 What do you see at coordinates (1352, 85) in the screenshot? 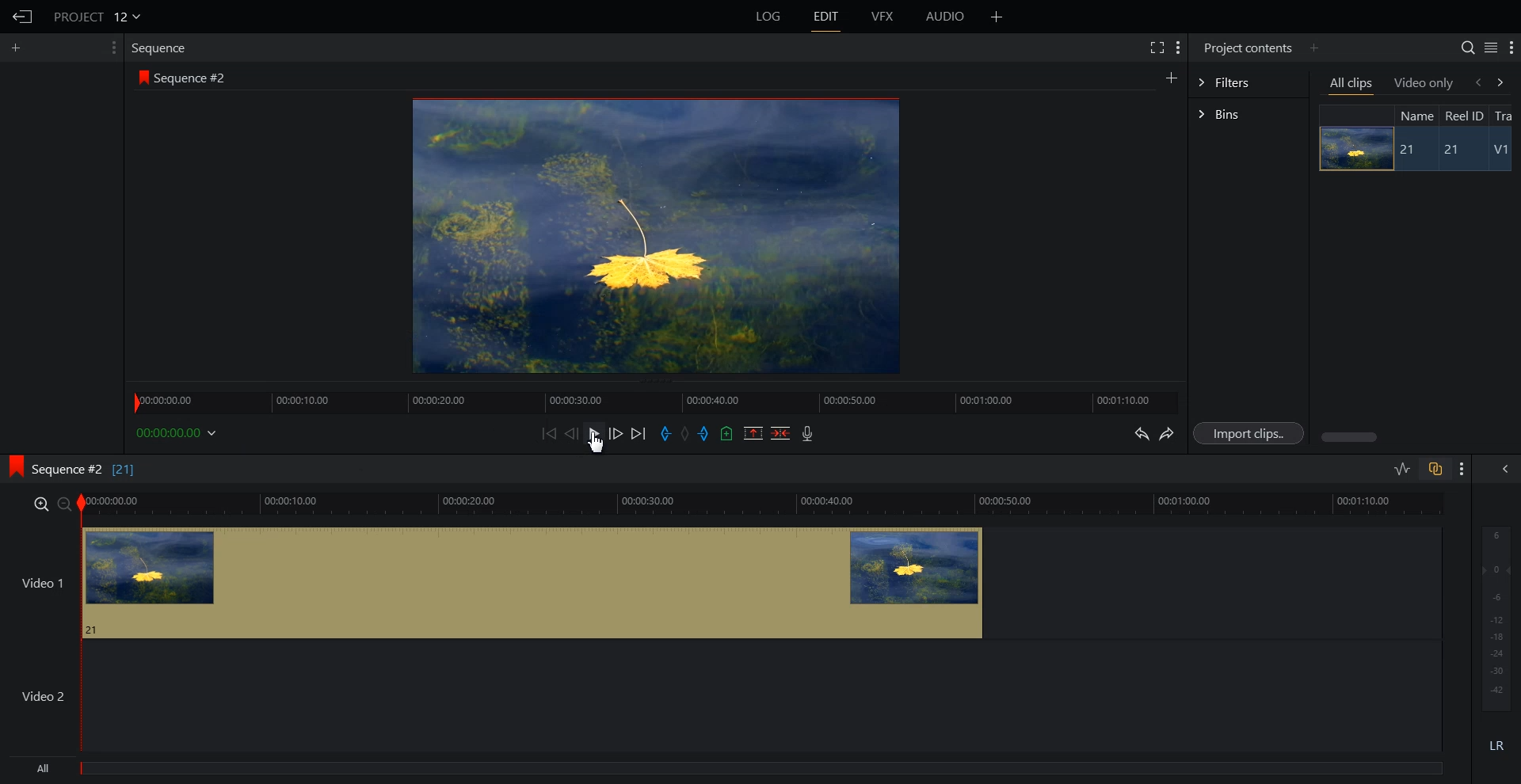
I see `All clips` at bounding box center [1352, 85].